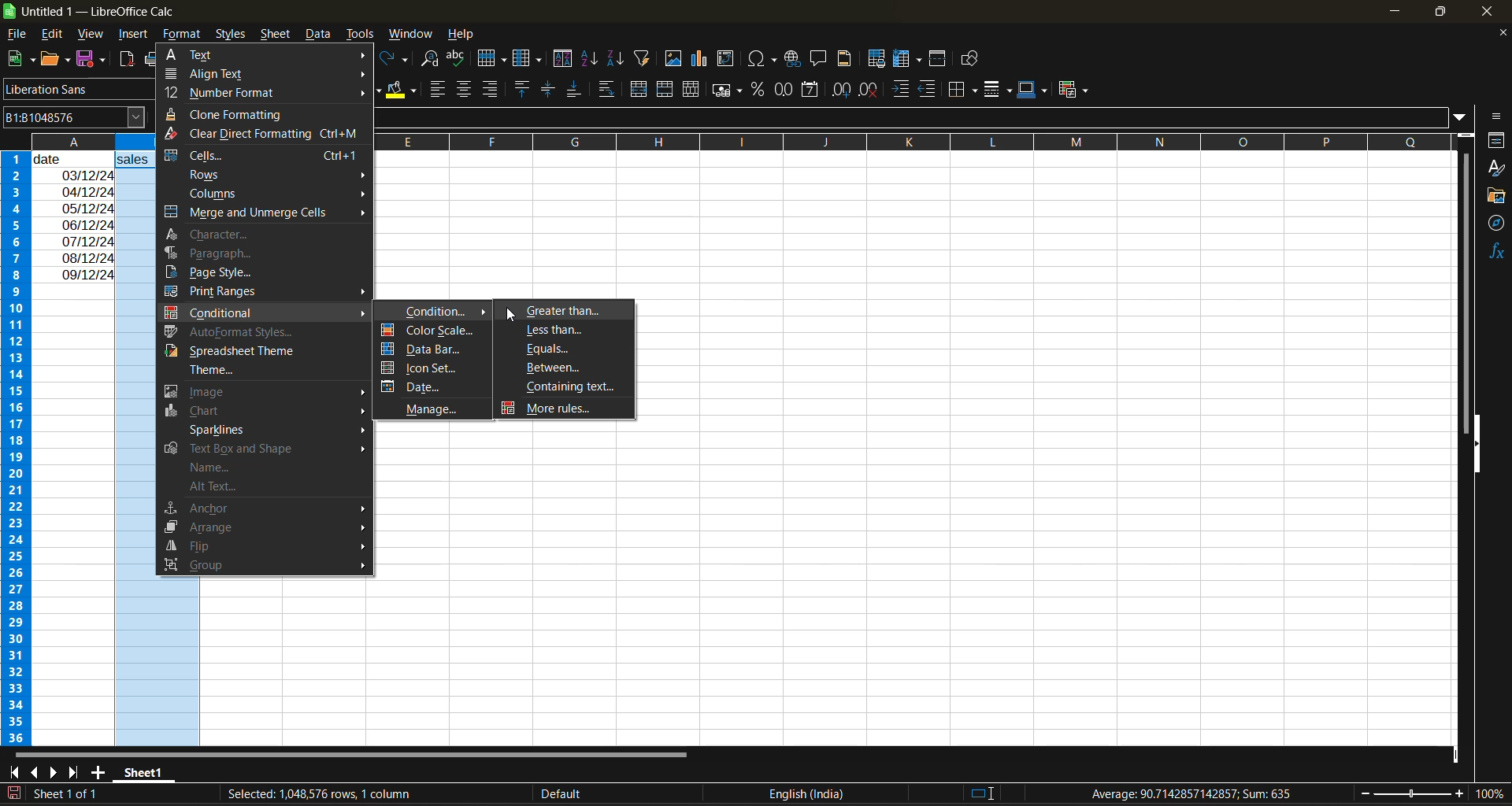 The image size is (1512, 806). I want to click on chart, so click(266, 412).